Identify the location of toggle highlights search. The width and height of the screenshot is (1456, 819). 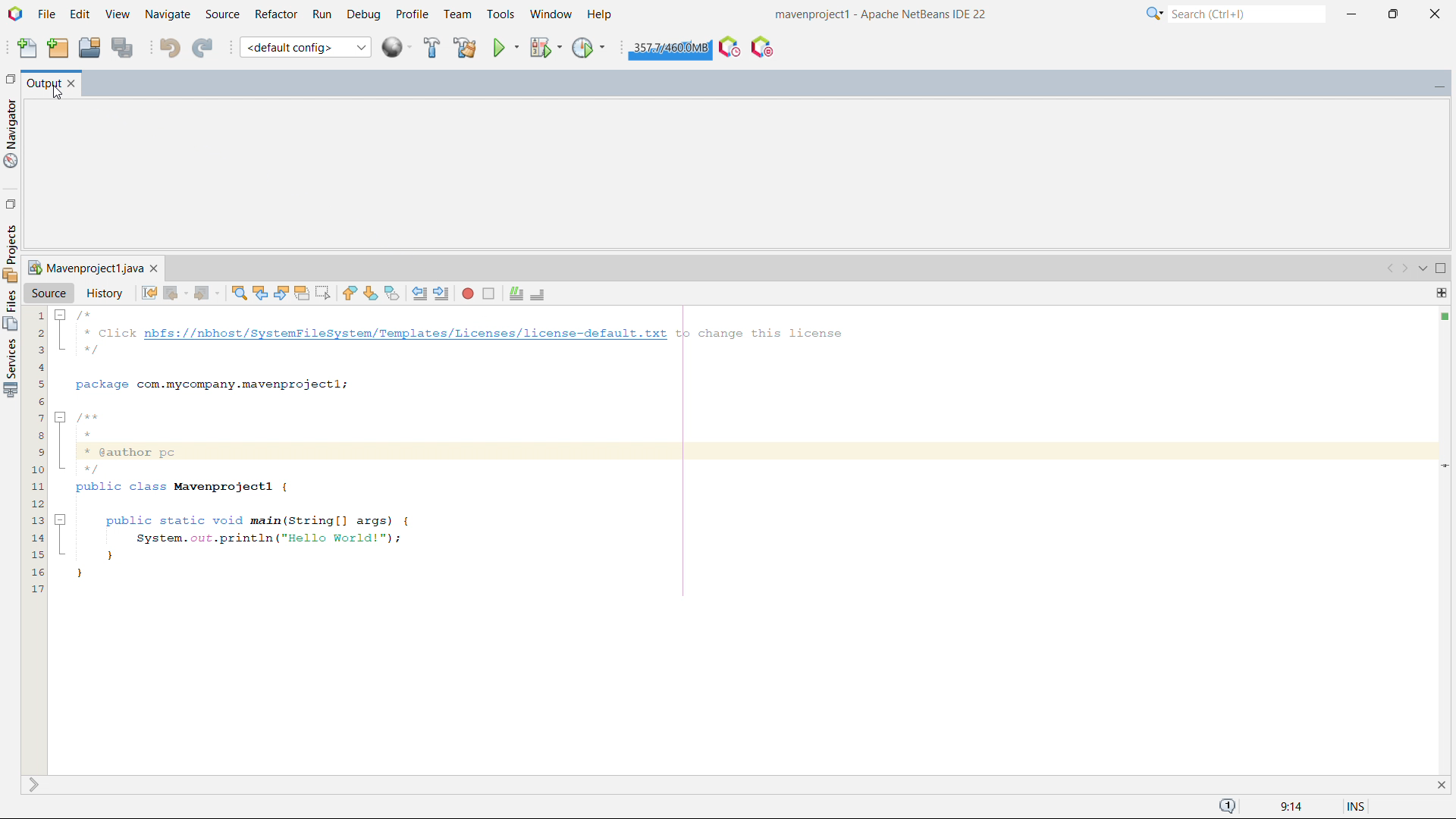
(302, 293).